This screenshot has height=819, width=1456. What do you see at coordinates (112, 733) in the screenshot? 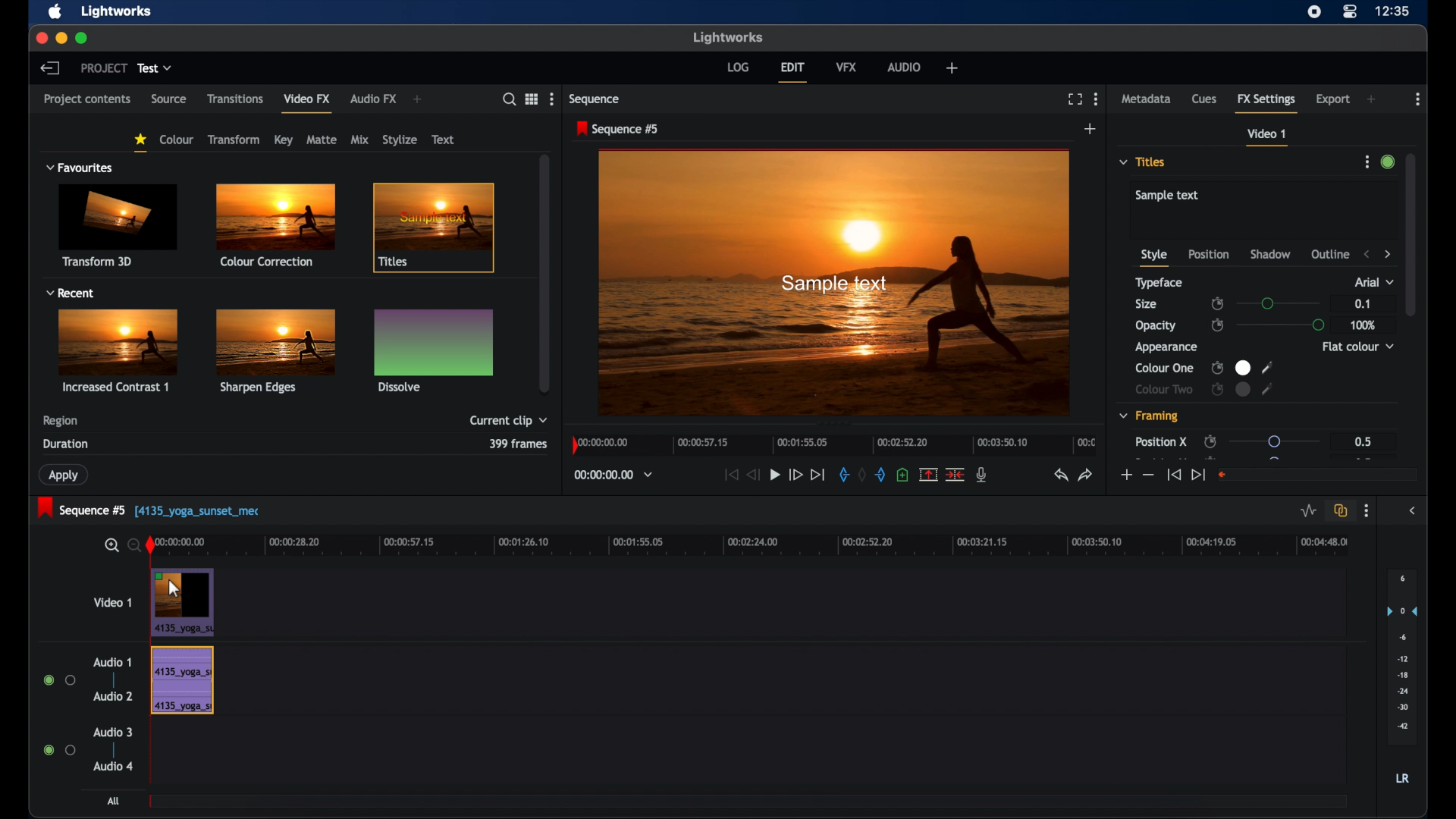
I see `audio 3` at bounding box center [112, 733].